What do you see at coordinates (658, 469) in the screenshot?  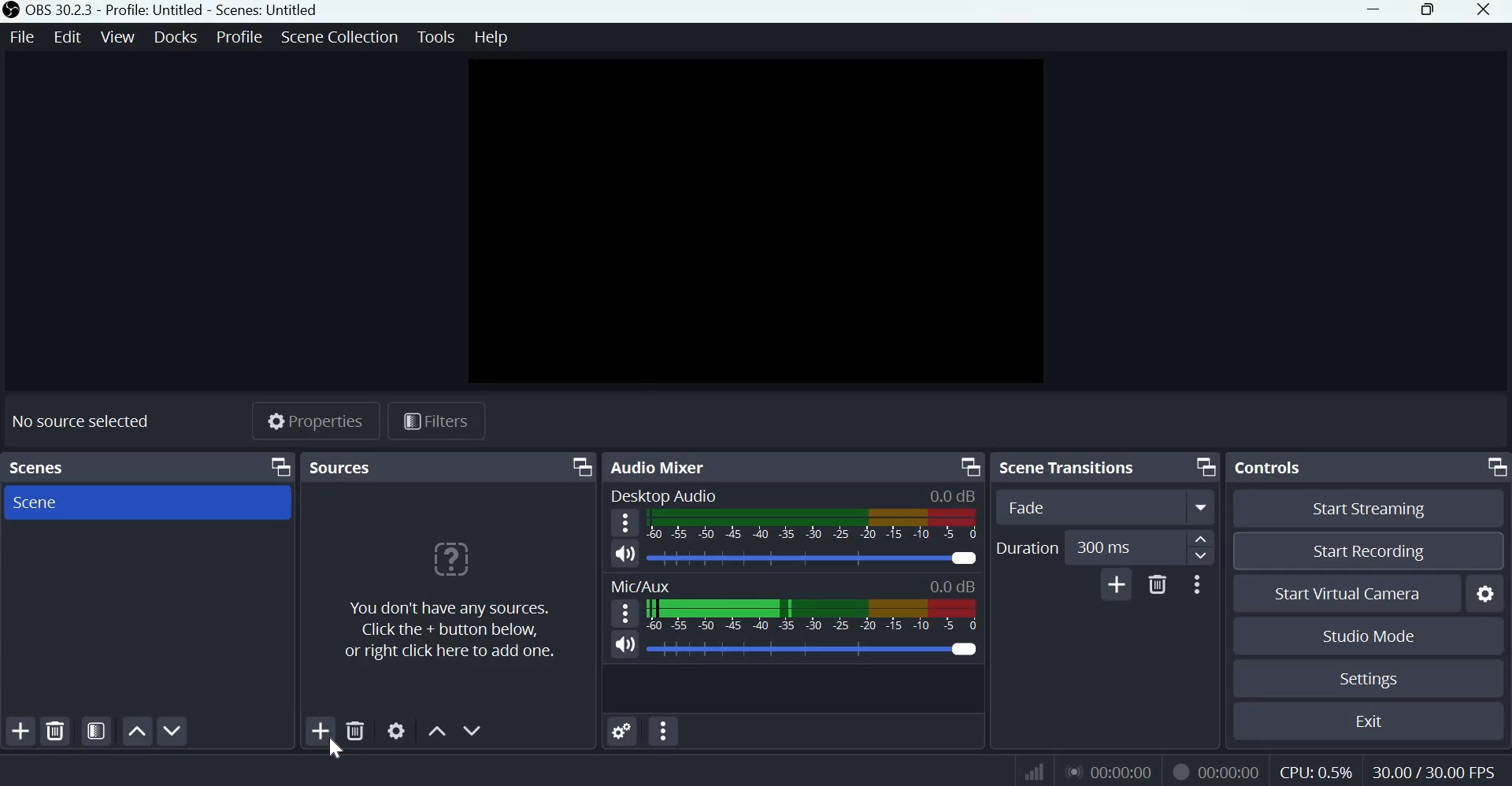 I see `Audio Mixer` at bounding box center [658, 469].